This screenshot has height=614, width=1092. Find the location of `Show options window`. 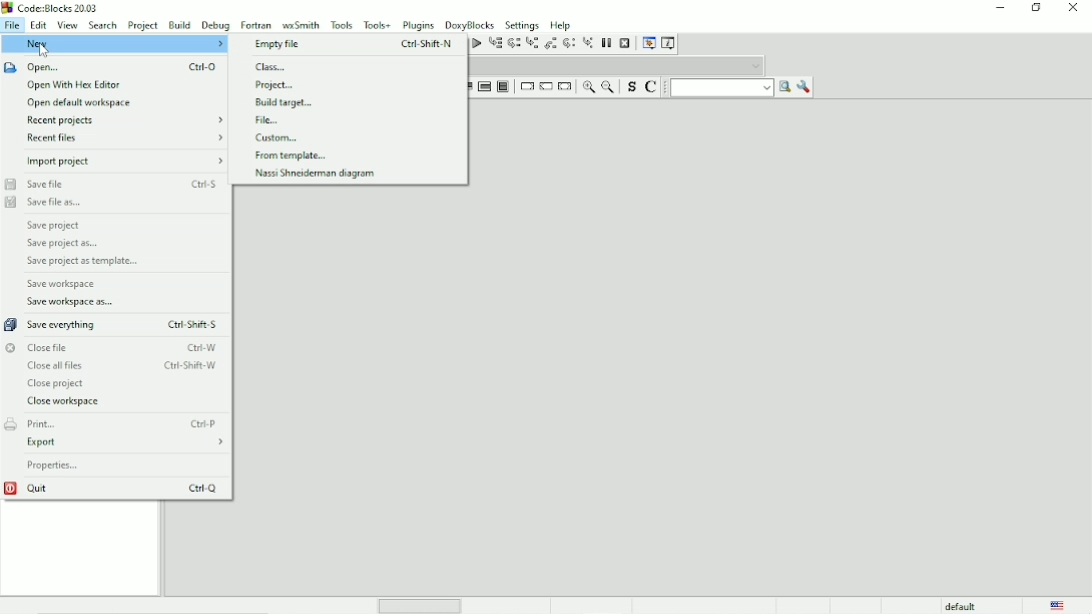

Show options window is located at coordinates (804, 87).